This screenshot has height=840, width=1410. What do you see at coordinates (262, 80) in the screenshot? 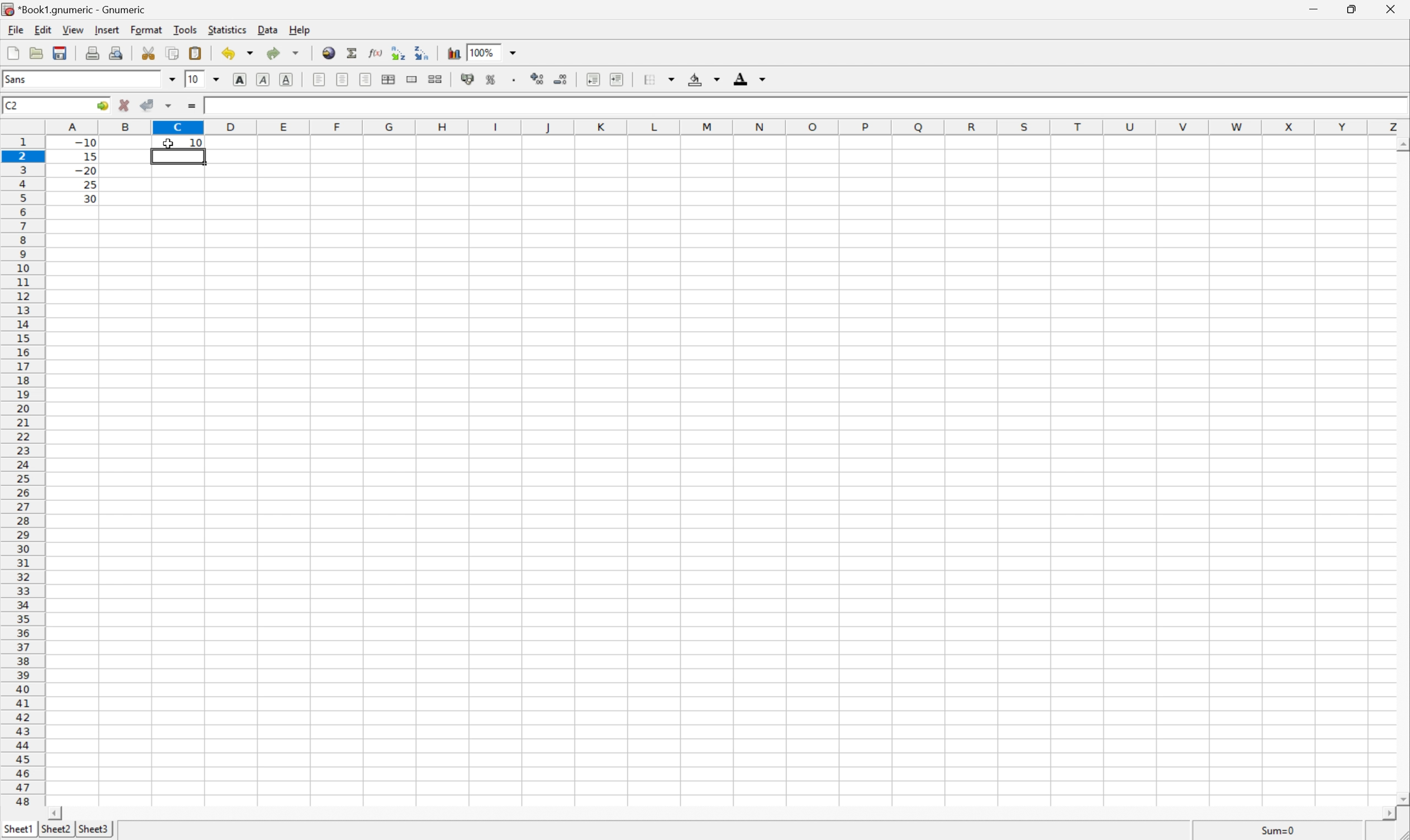
I see `Underline ` at bounding box center [262, 80].